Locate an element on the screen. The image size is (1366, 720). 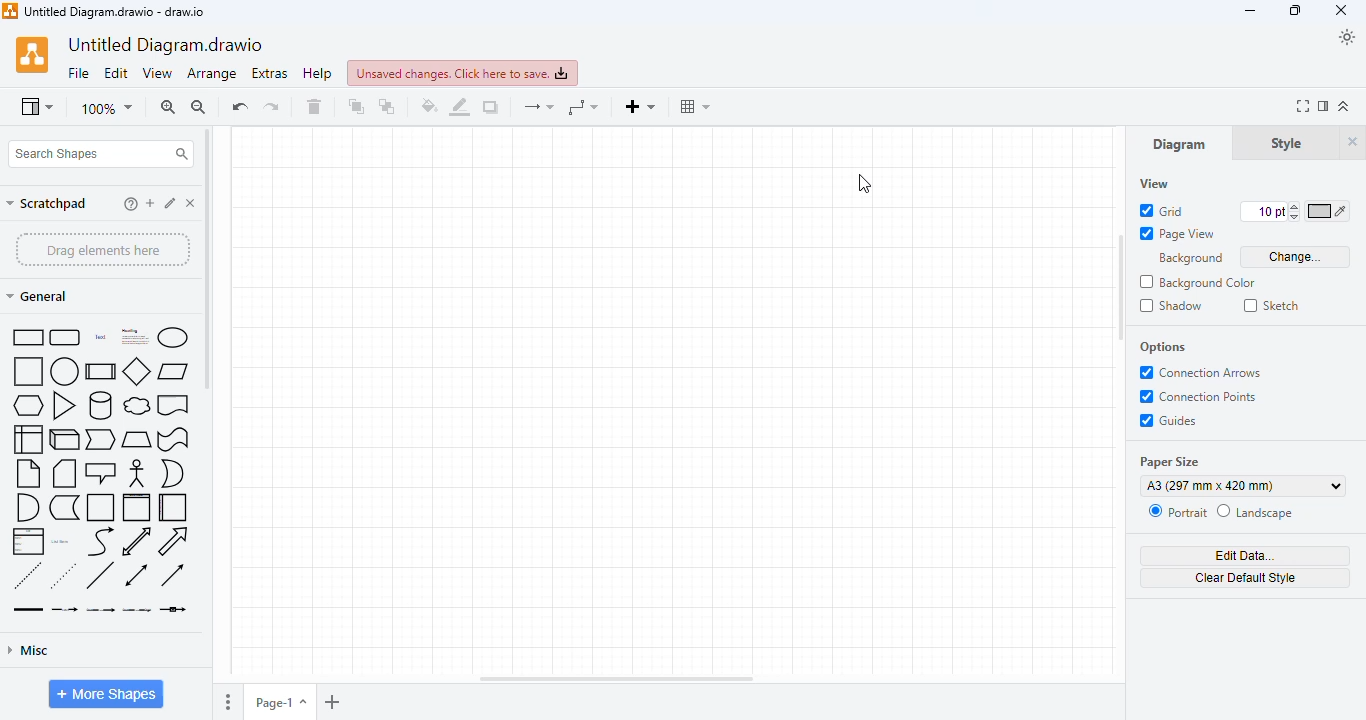
zoom in is located at coordinates (168, 107).